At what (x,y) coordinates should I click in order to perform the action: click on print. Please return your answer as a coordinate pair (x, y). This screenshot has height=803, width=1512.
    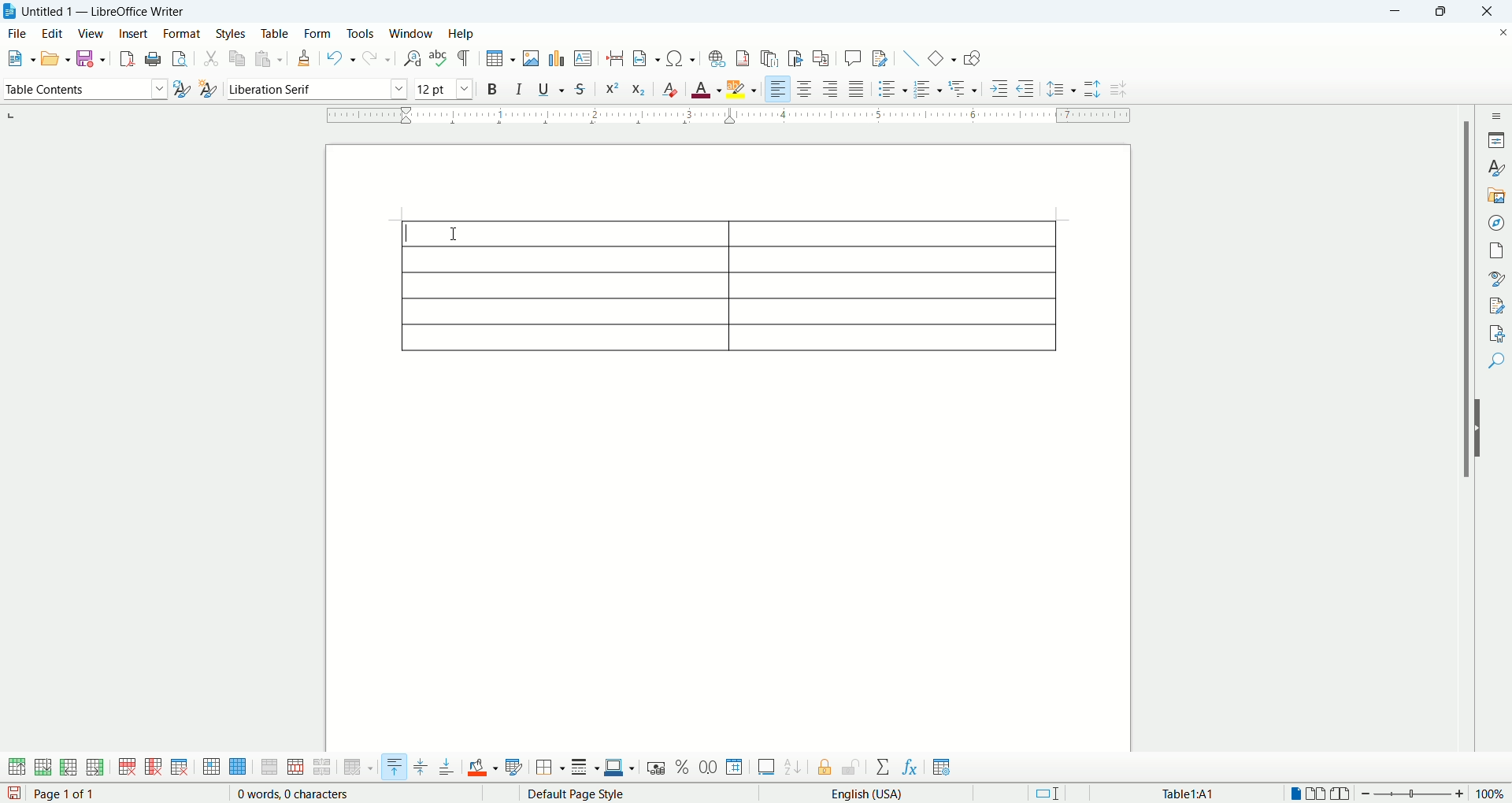
    Looking at the image, I should click on (154, 58).